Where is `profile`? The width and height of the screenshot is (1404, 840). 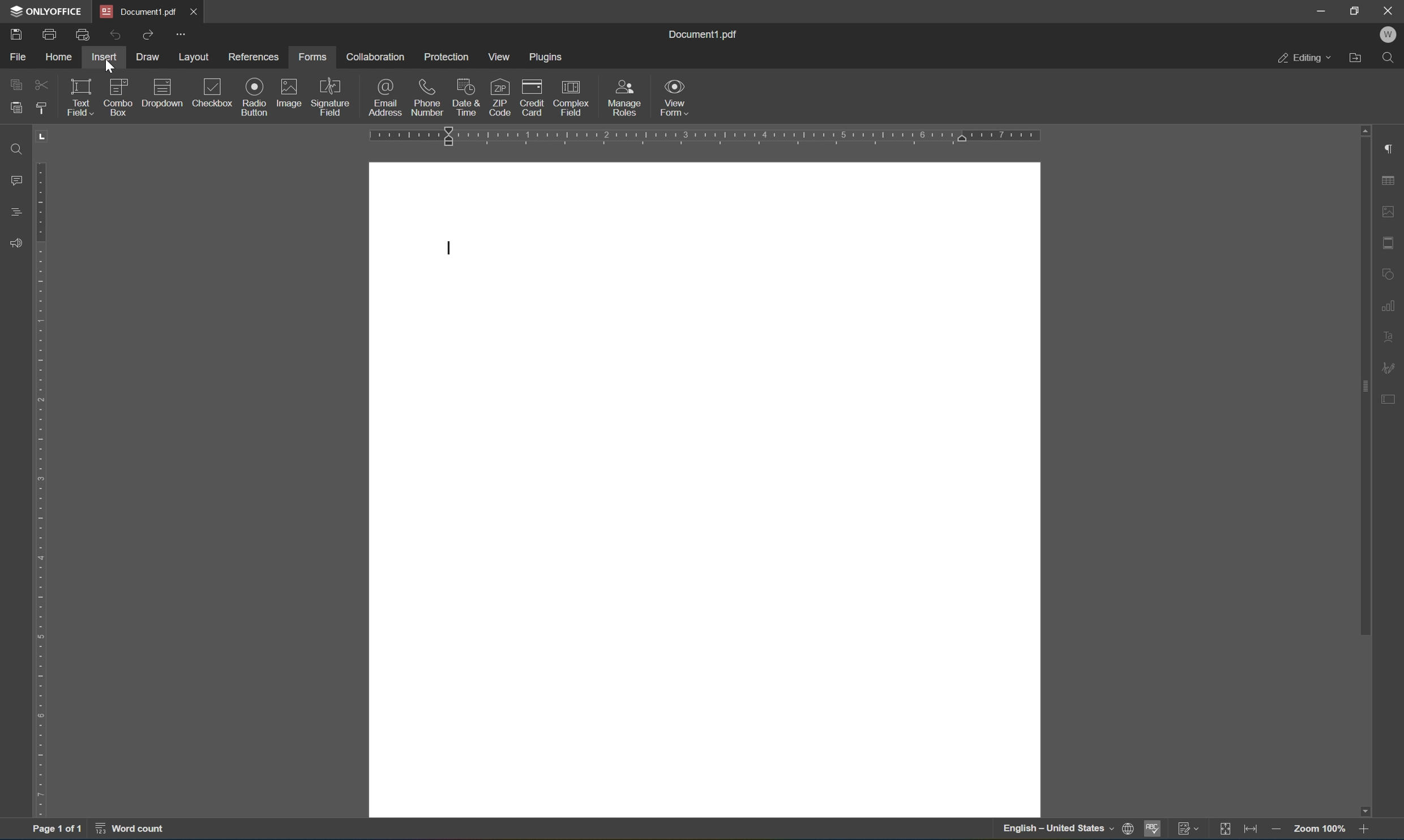 profile is located at coordinates (1391, 36).